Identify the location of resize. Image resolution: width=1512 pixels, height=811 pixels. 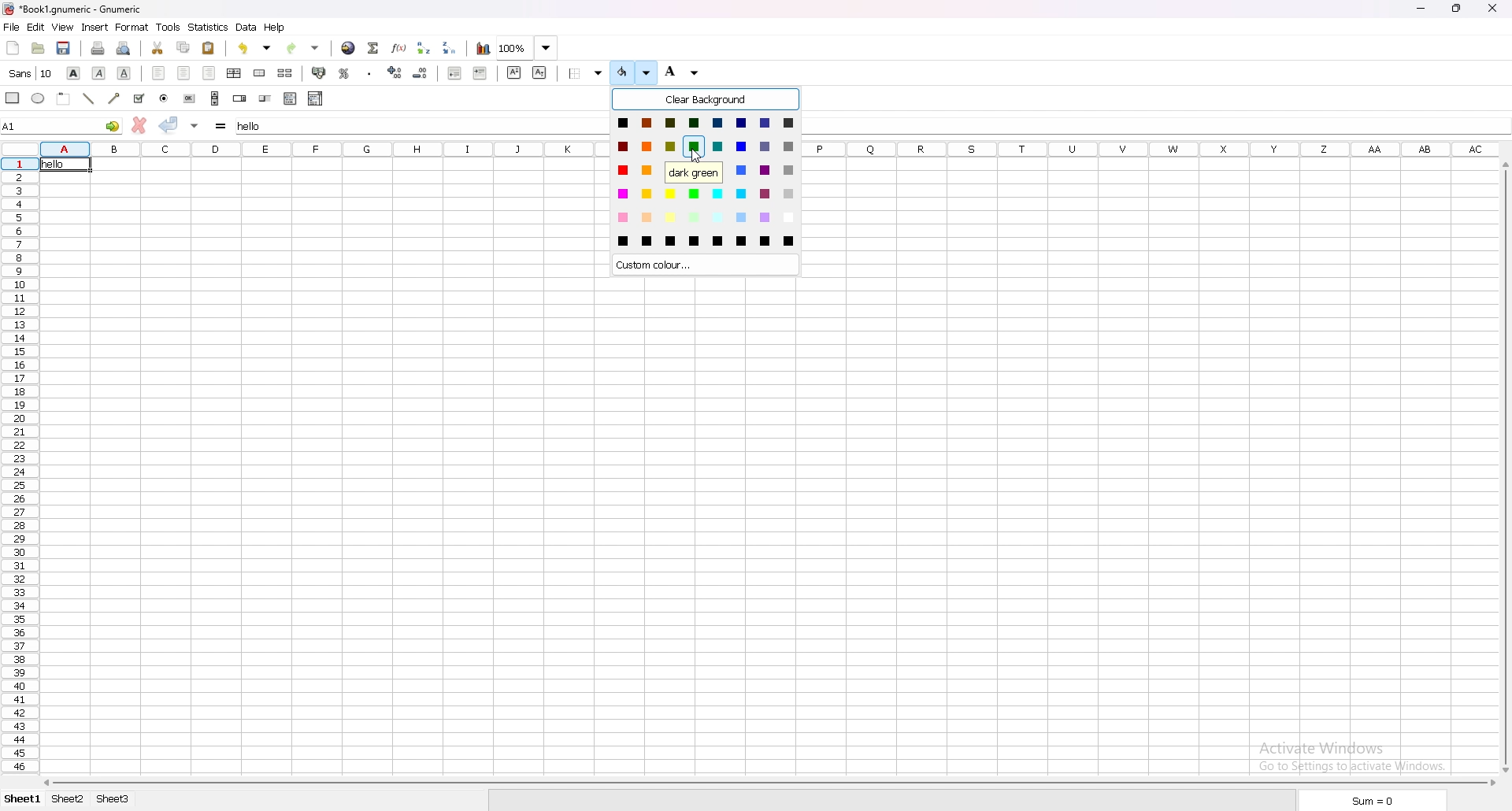
(1457, 9).